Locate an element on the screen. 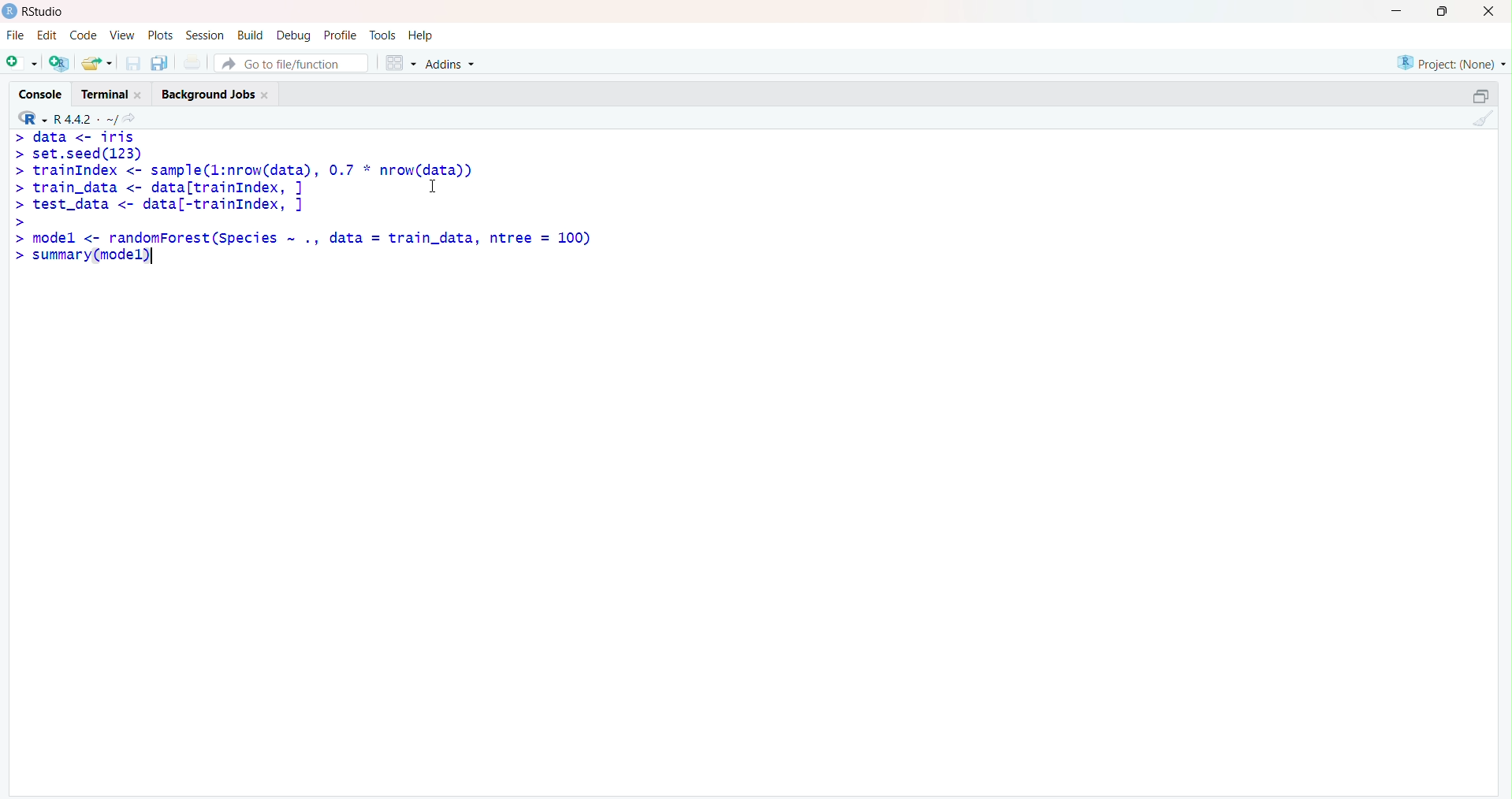 The image size is (1512, 799). Background Jobs is located at coordinates (215, 93).